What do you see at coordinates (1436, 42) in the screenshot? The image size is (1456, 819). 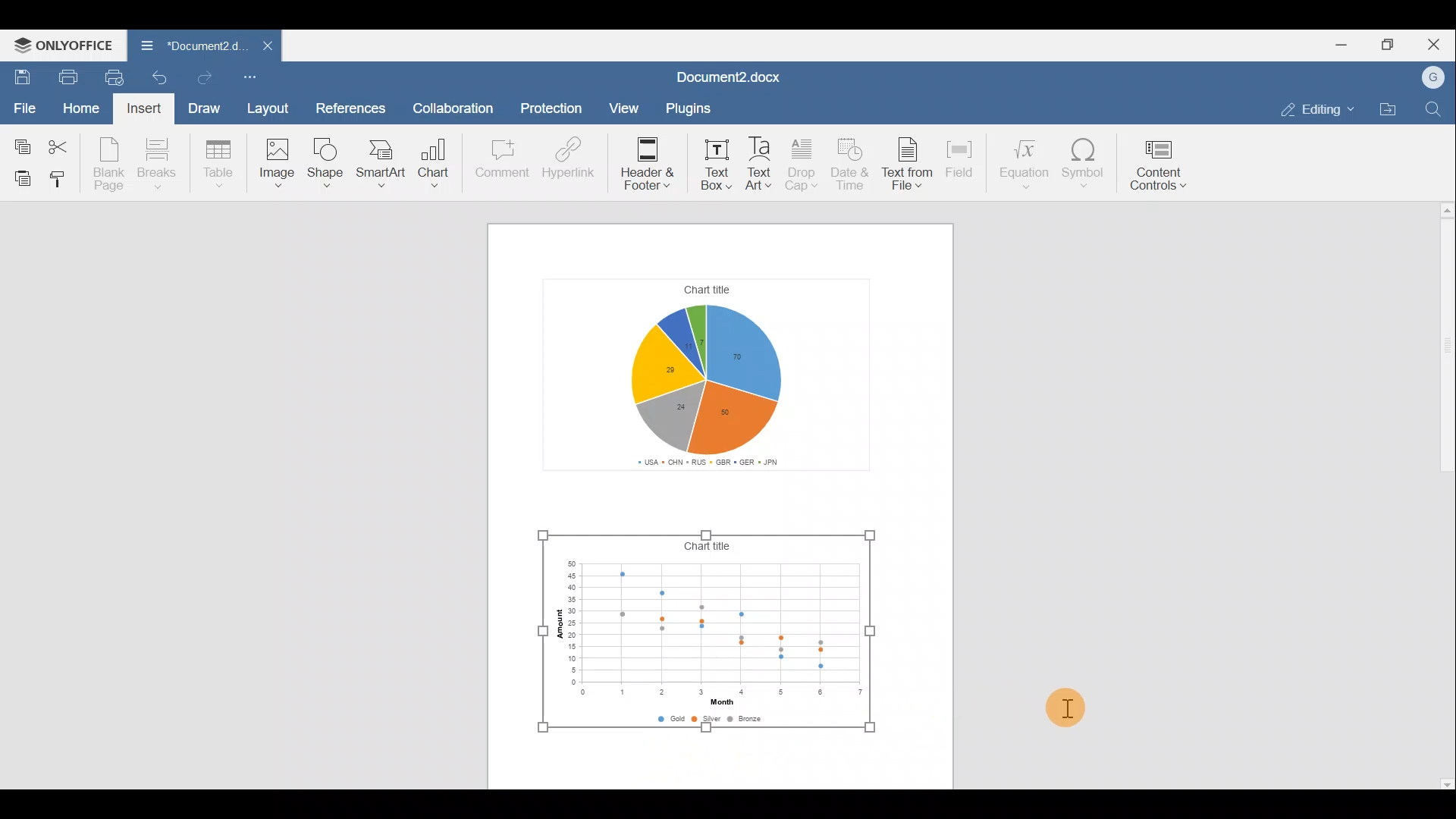 I see `Close` at bounding box center [1436, 42].